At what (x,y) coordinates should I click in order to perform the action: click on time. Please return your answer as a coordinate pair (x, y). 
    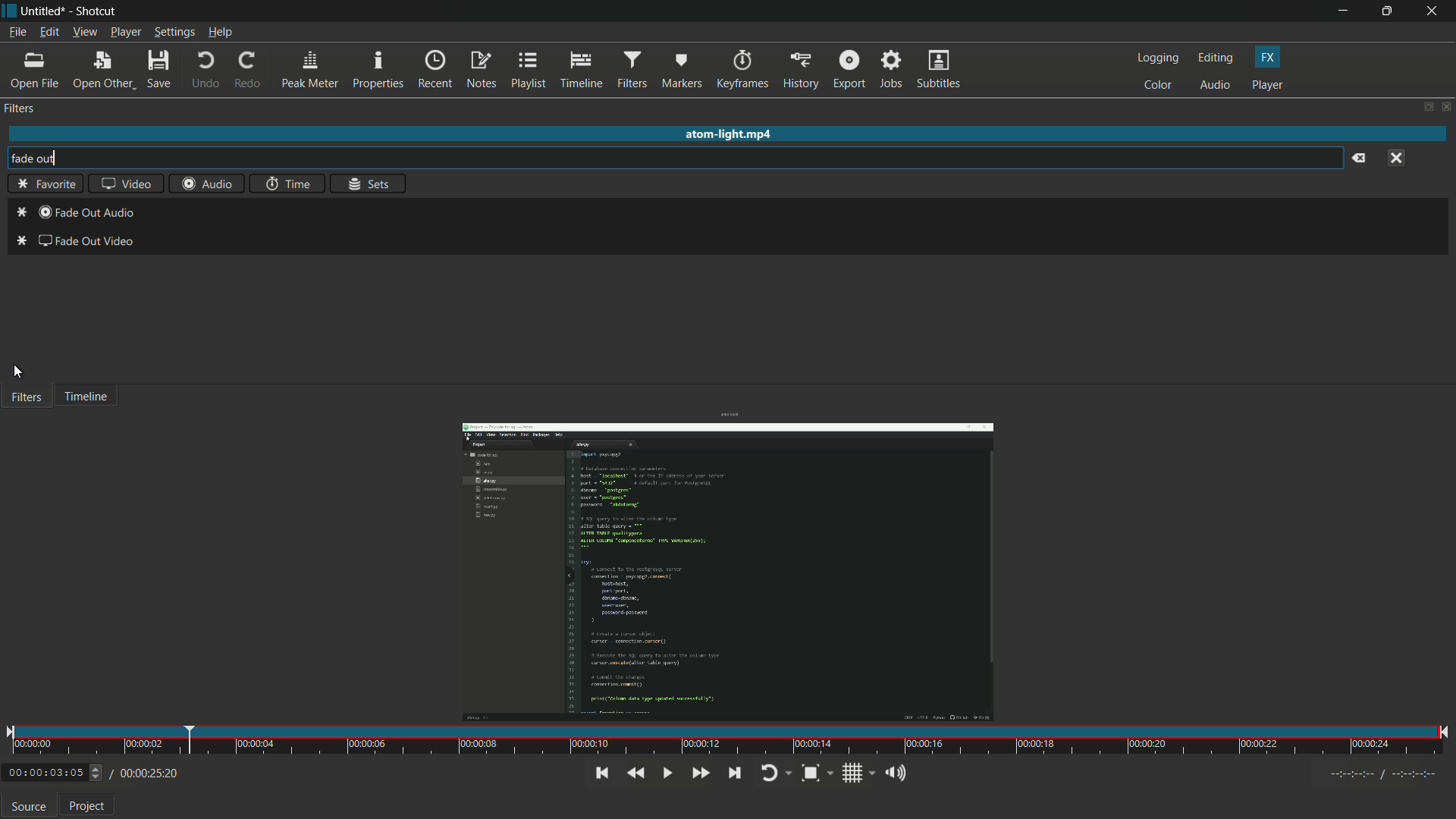
    Looking at the image, I should click on (286, 185).